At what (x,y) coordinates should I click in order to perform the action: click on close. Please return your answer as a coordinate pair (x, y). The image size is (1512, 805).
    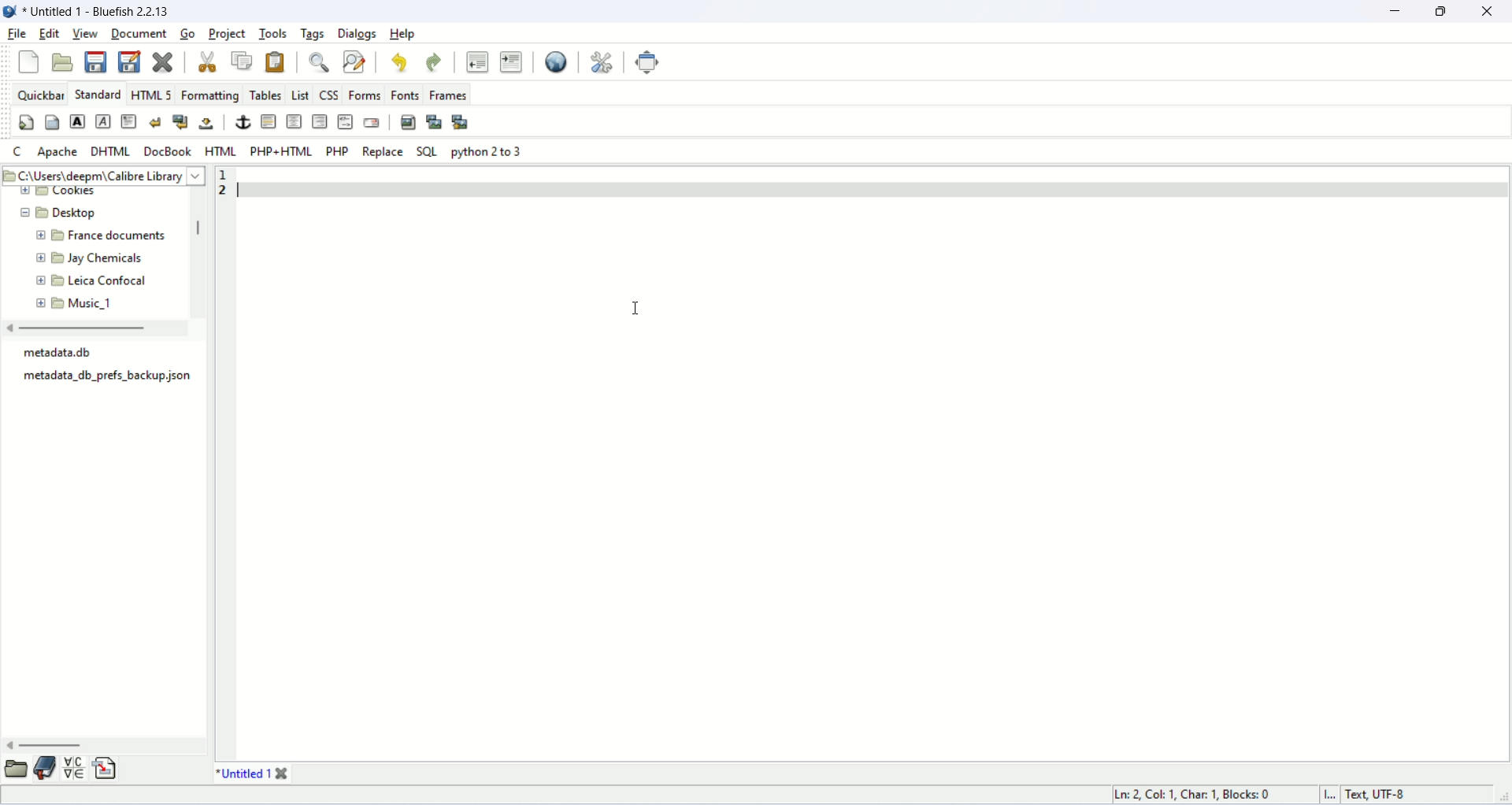
    Looking at the image, I should click on (163, 60).